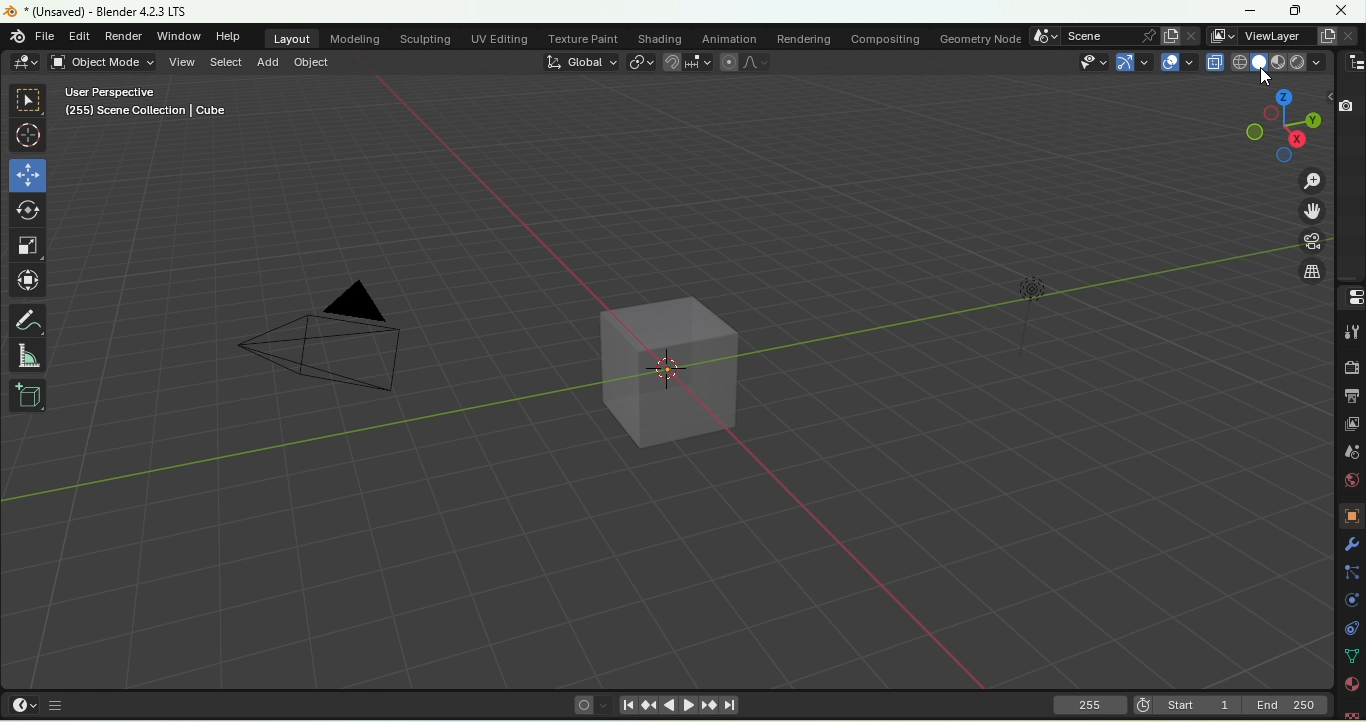 Image resolution: width=1366 pixels, height=722 pixels. I want to click on New view layer, so click(1325, 35).